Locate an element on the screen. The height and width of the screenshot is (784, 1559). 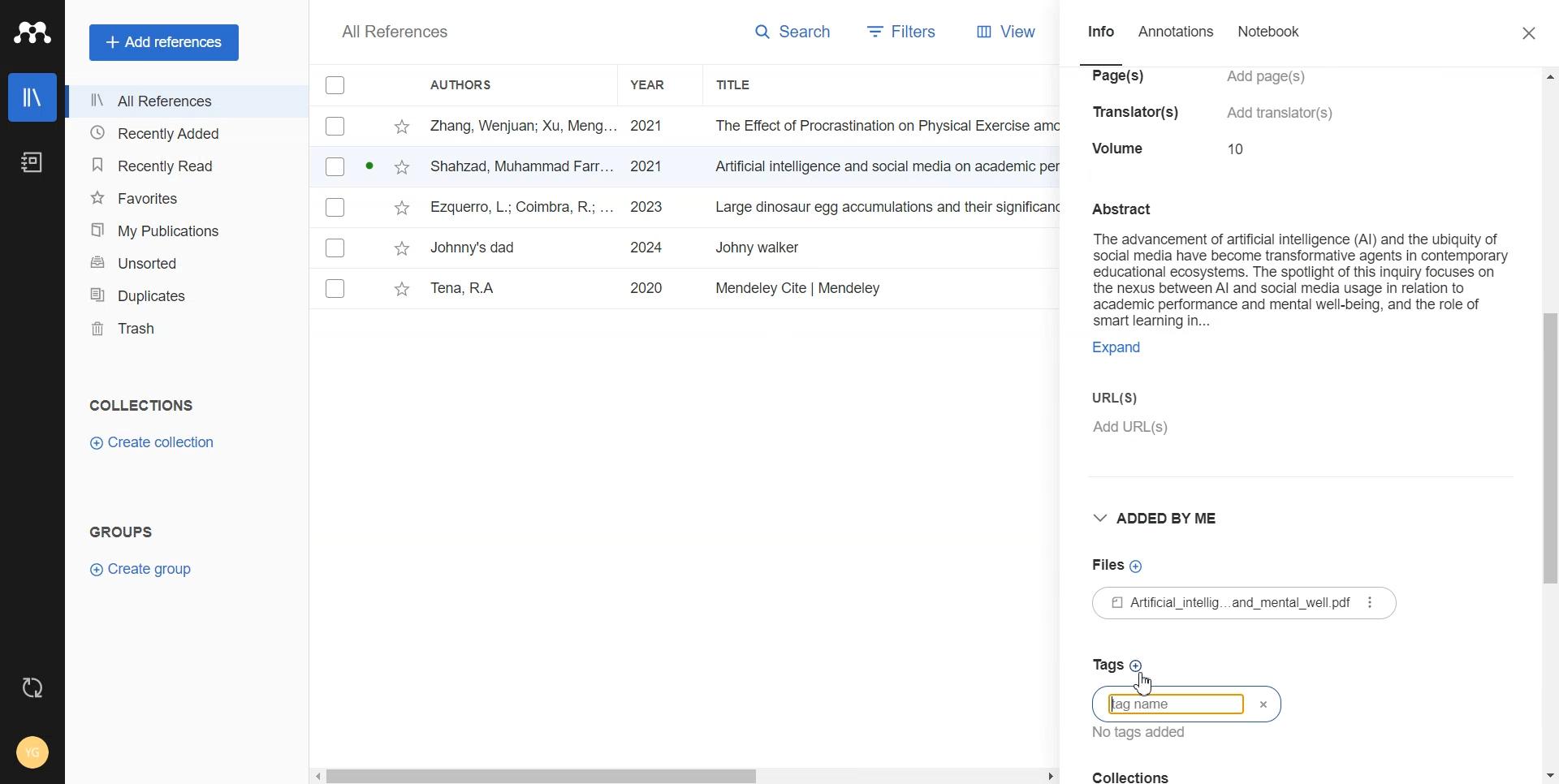
Notebook is located at coordinates (1267, 41).